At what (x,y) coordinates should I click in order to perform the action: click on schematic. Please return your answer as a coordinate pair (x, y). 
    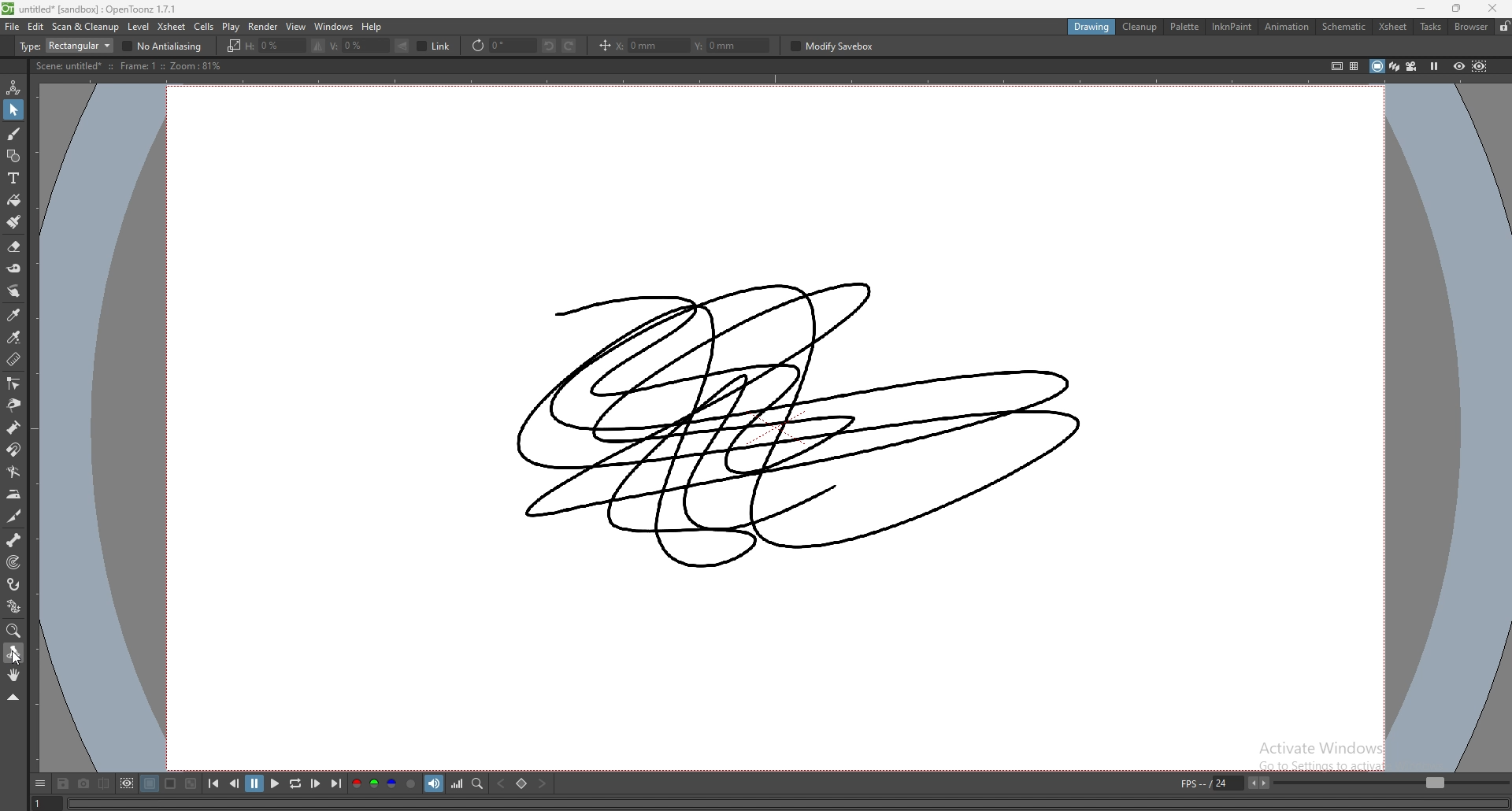
    Looking at the image, I should click on (1346, 26).